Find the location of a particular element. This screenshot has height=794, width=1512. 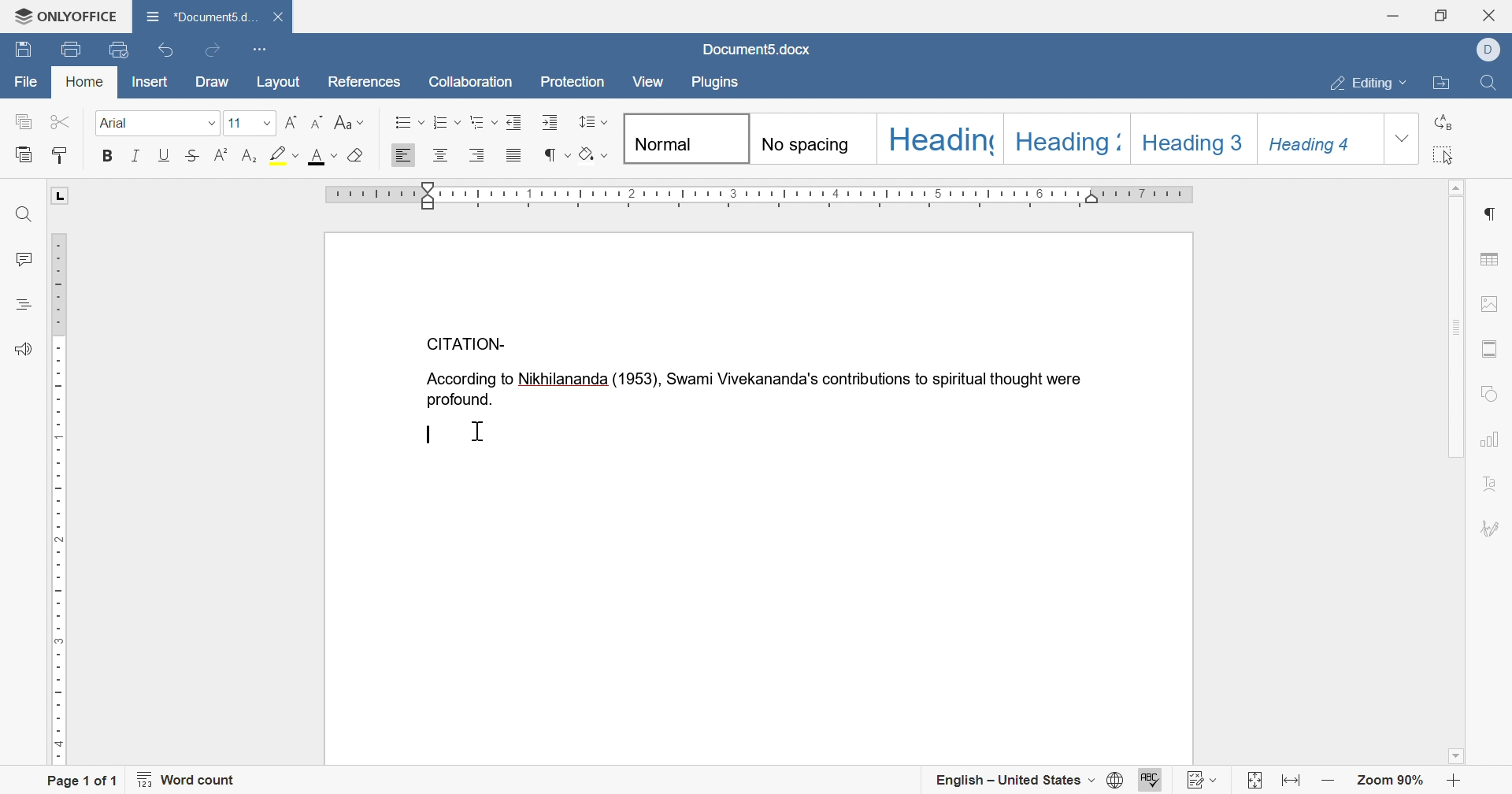

headings is located at coordinates (24, 305).